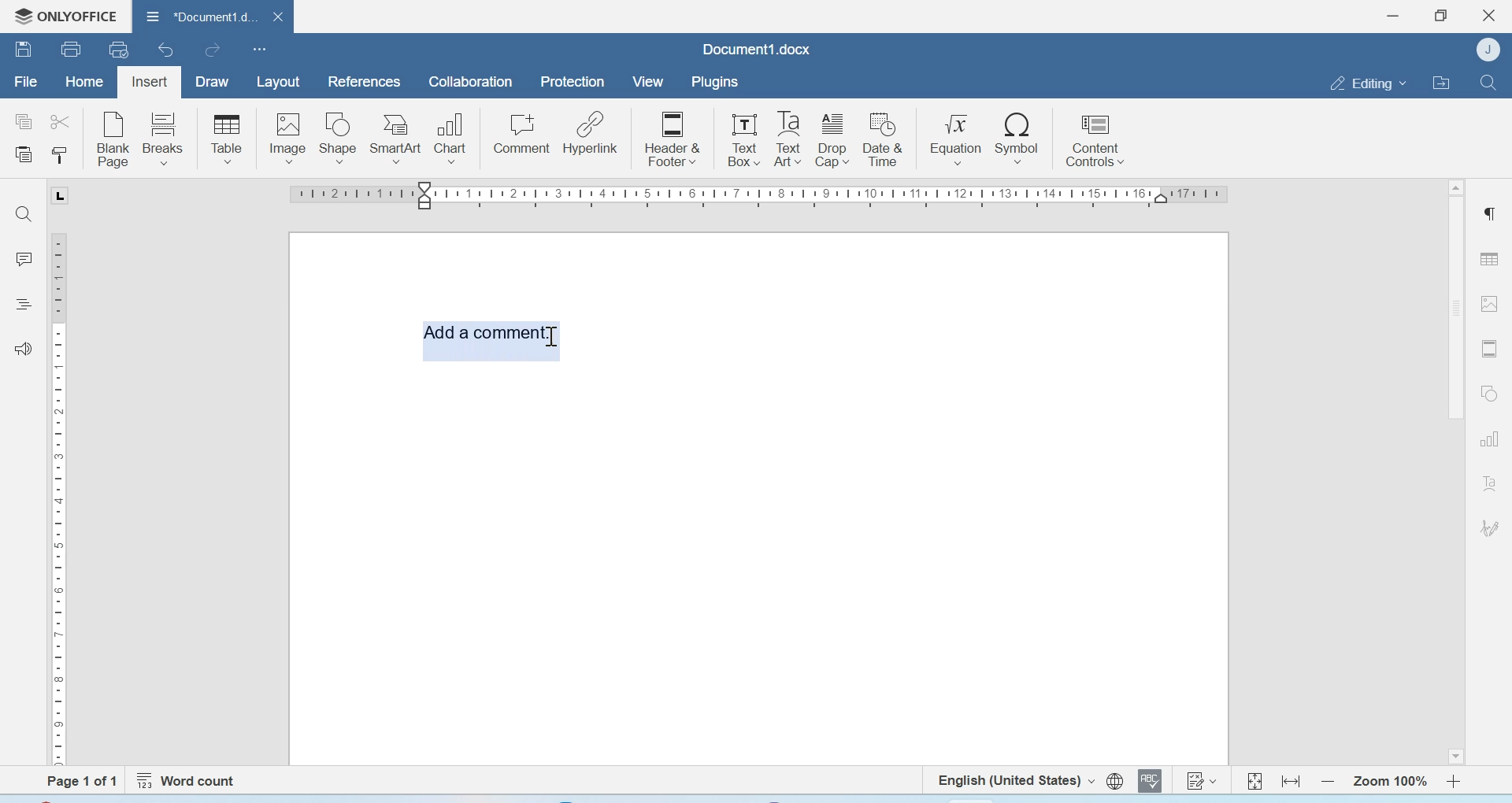  What do you see at coordinates (1388, 782) in the screenshot?
I see `Zoom` at bounding box center [1388, 782].